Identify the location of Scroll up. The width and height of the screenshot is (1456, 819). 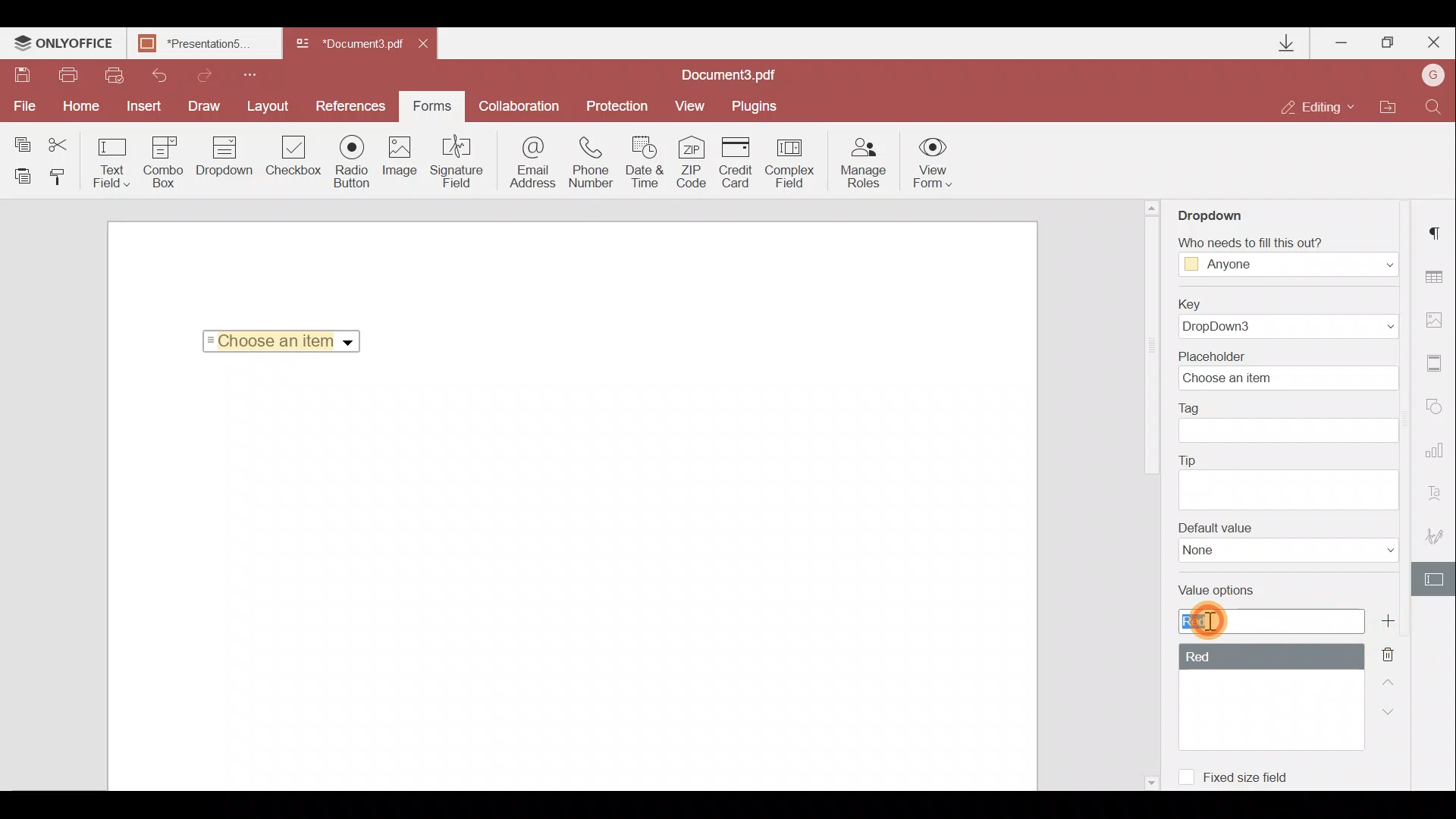
(1153, 207).